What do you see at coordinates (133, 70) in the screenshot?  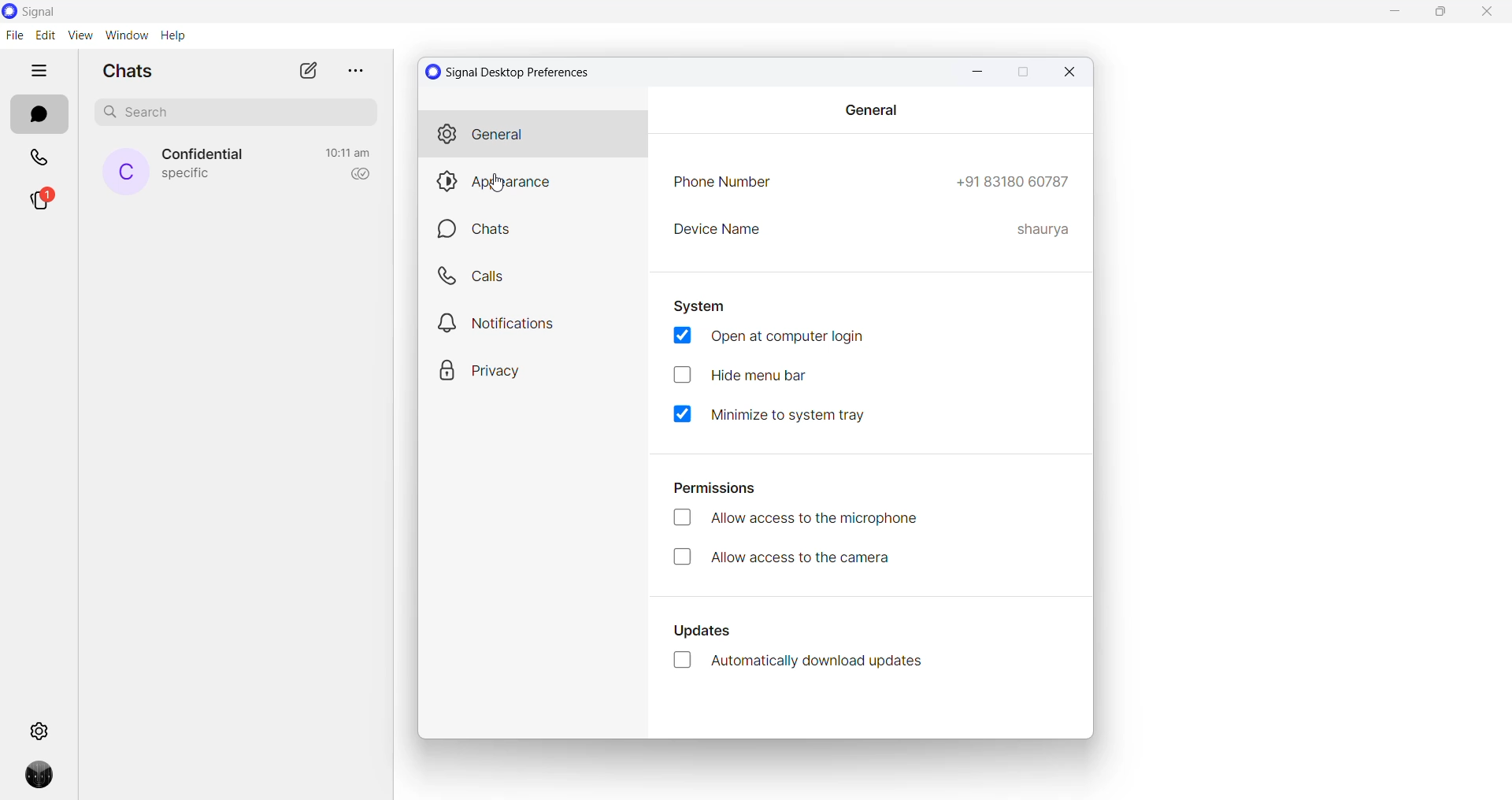 I see `chats heading` at bounding box center [133, 70].